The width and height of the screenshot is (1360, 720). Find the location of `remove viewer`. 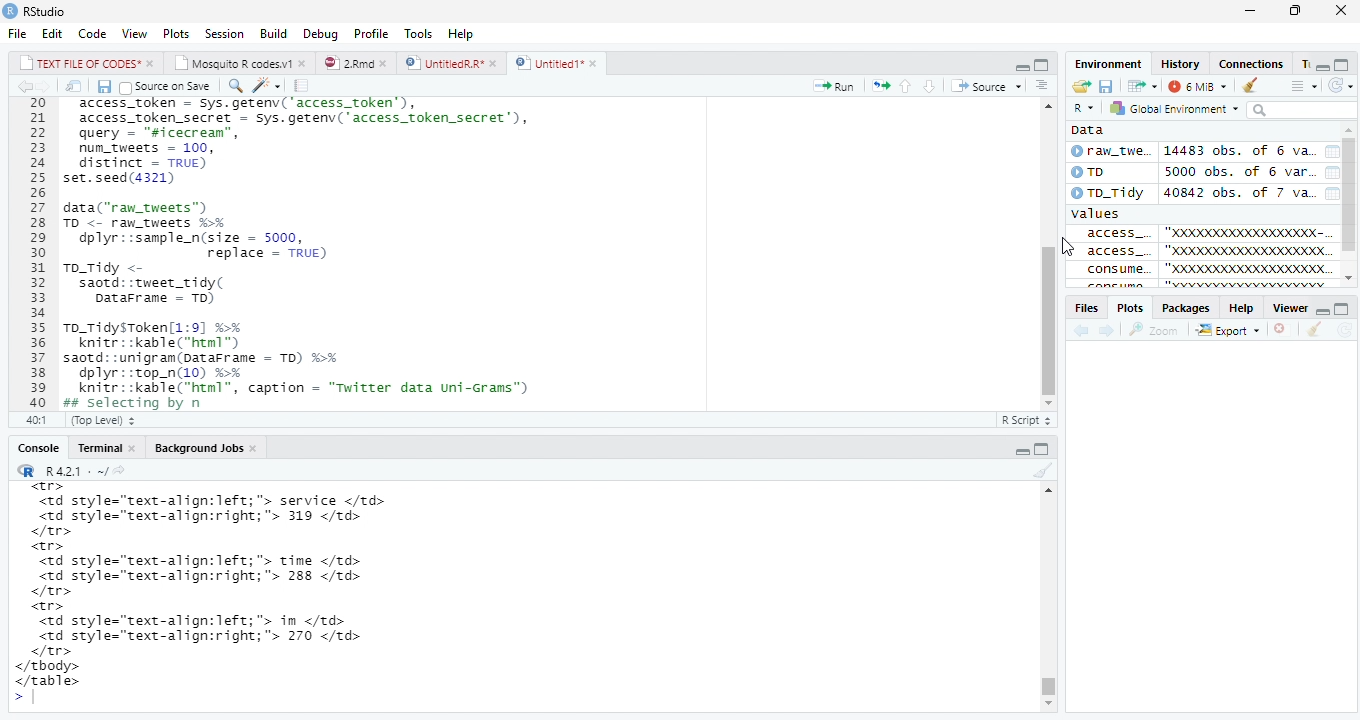

remove viewer is located at coordinates (1285, 330).